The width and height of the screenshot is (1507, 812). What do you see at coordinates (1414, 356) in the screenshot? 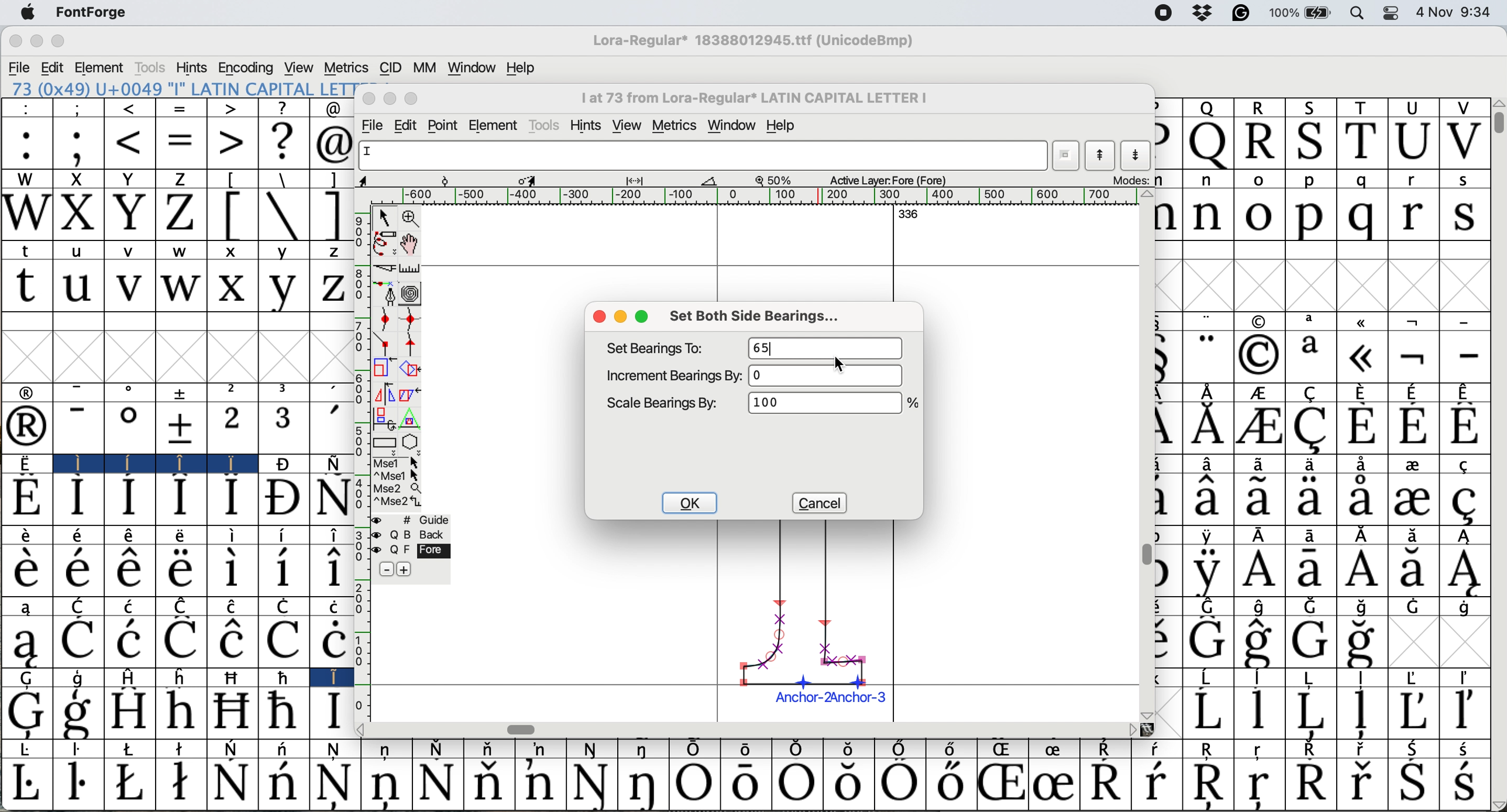
I see `Symbol` at bounding box center [1414, 356].